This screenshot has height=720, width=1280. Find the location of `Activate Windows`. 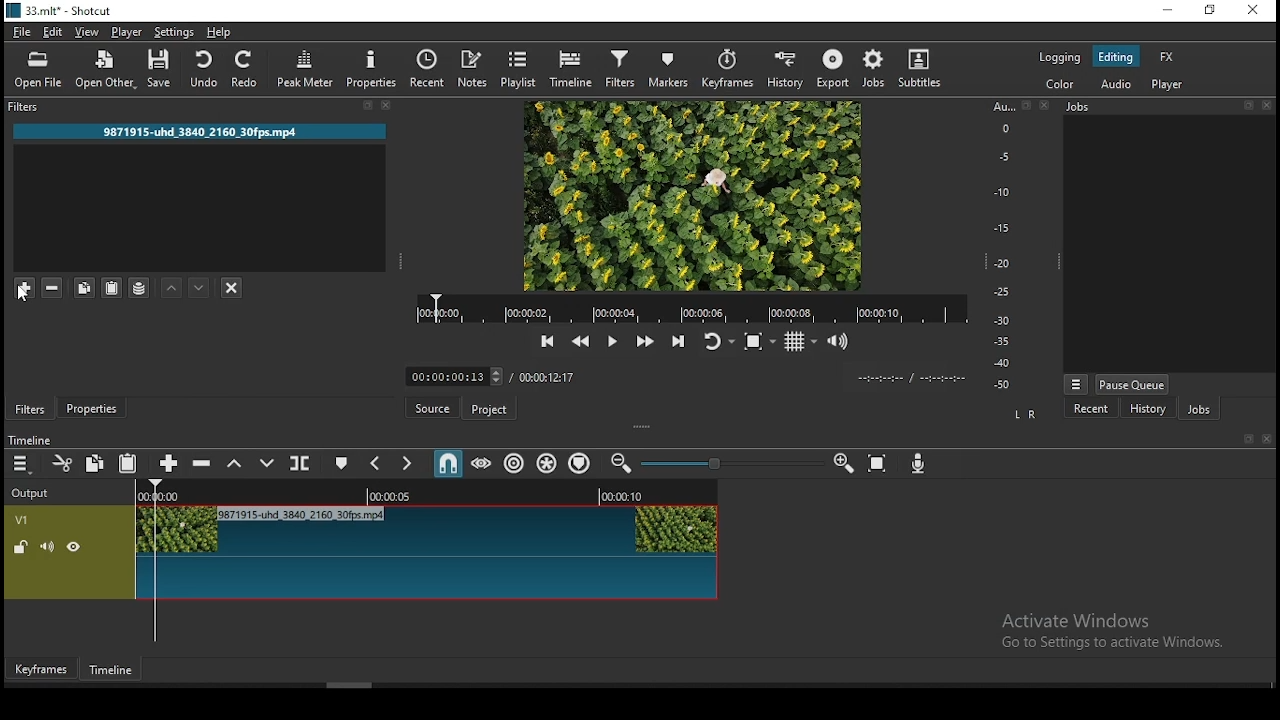

Activate Windows is located at coordinates (1079, 621).